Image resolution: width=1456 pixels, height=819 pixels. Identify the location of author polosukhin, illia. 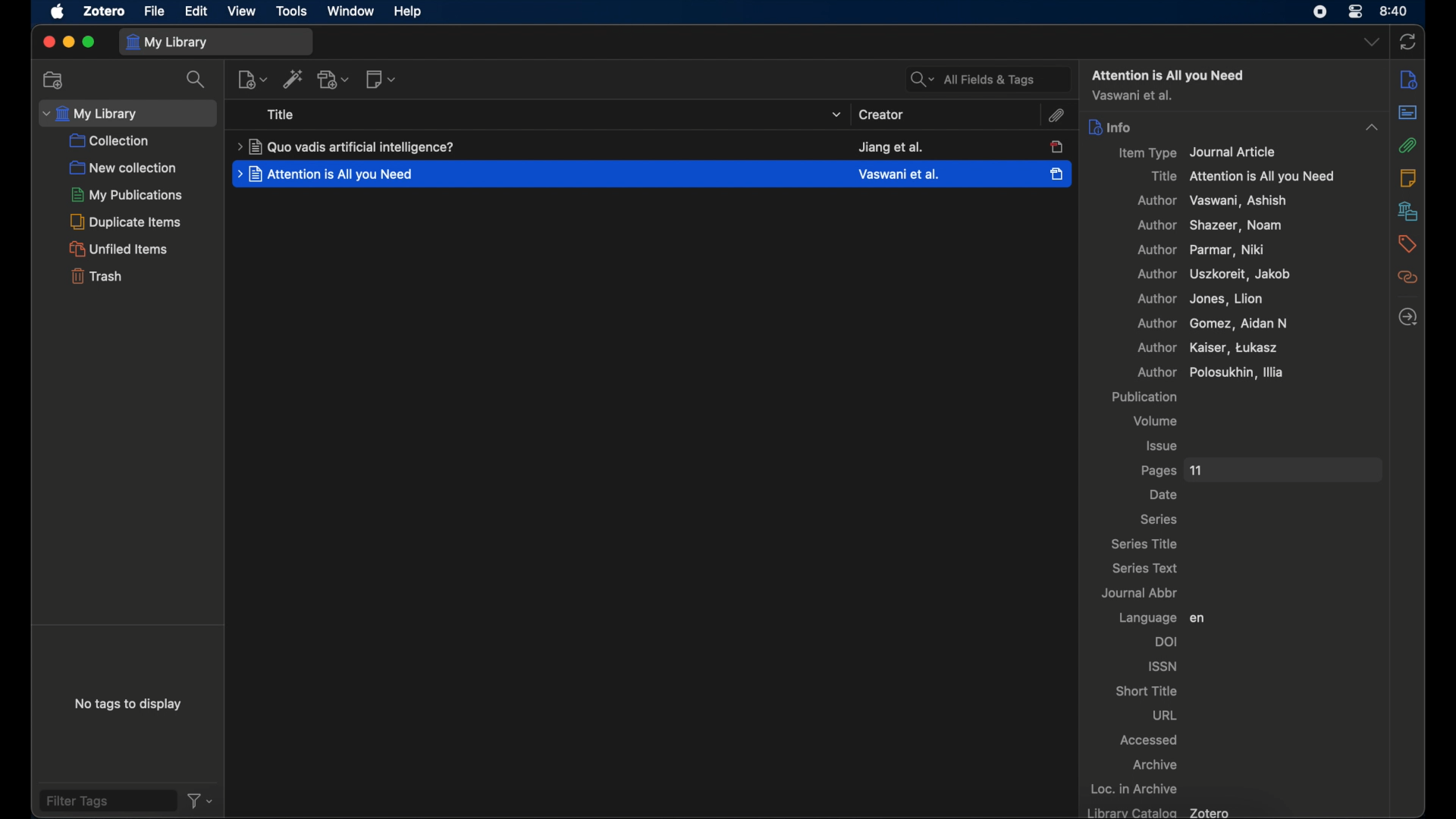
(1169, 372).